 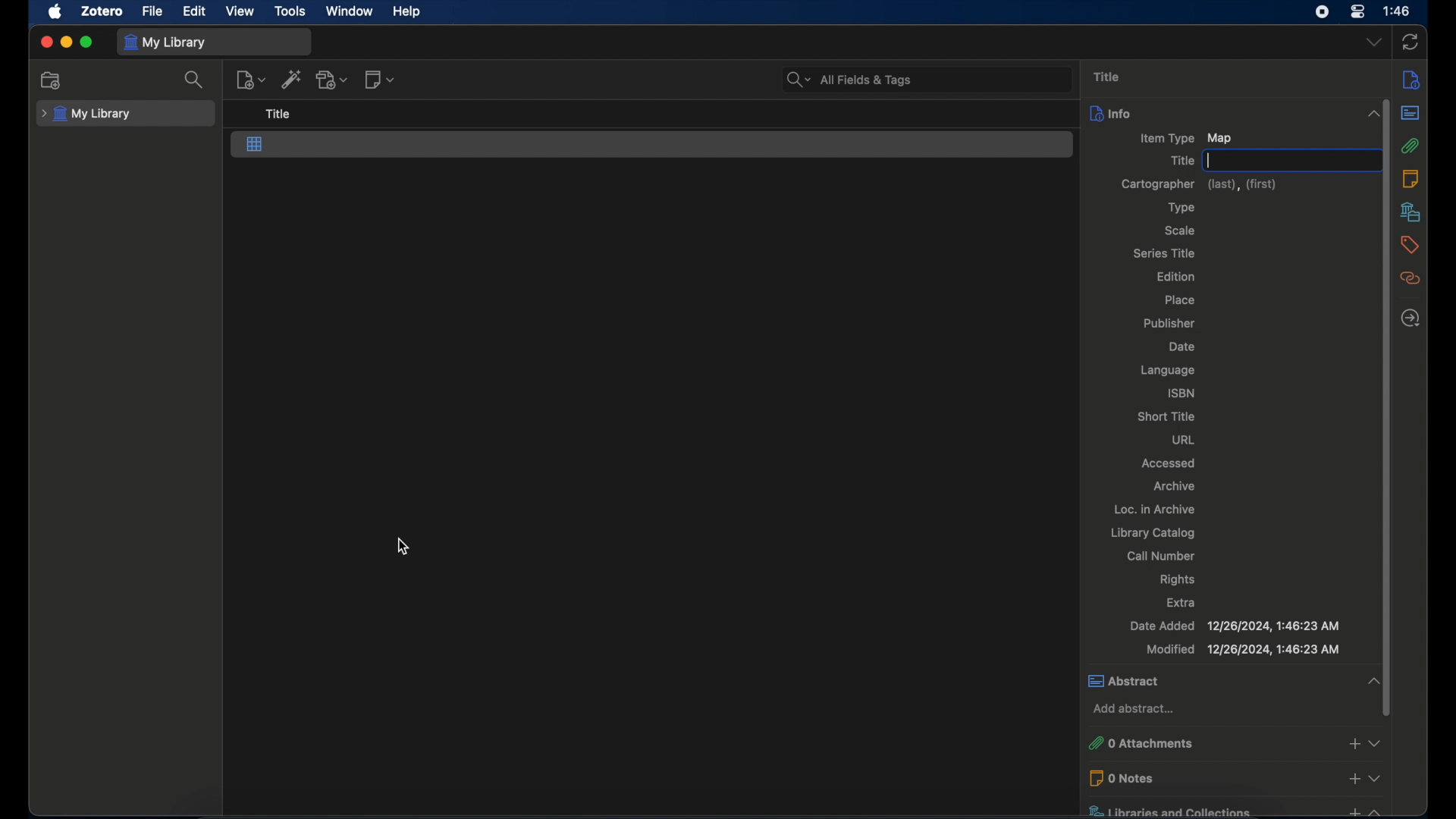 What do you see at coordinates (87, 42) in the screenshot?
I see `maximize` at bounding box center [87, 42].